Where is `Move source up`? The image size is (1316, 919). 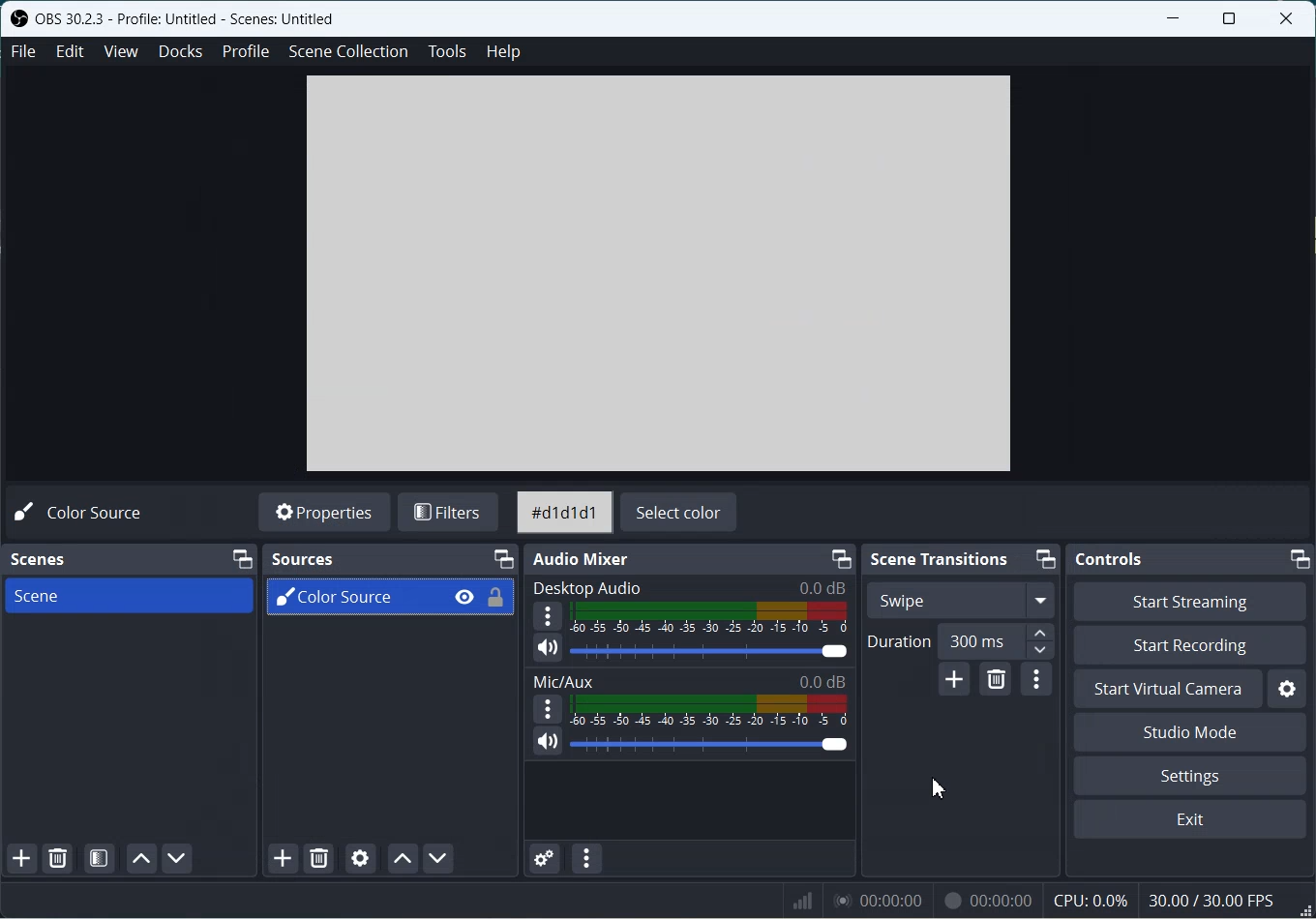 Move source up is located at coordinates (402, 859).